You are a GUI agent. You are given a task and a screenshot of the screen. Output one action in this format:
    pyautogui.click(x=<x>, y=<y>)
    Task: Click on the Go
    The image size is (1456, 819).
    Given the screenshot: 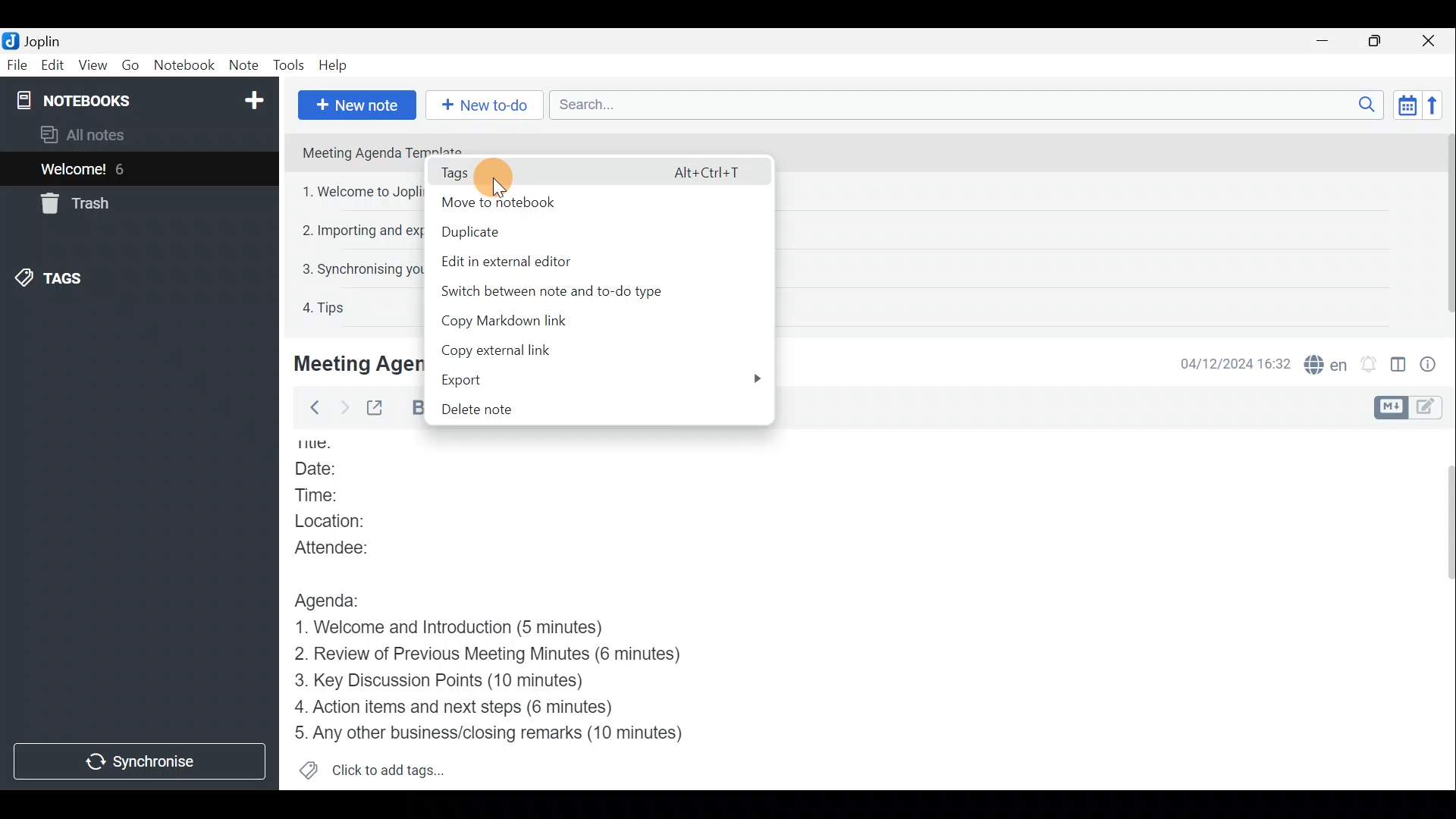 What is the action you would take?
    pyautogui.click(x=133, y=64)
    